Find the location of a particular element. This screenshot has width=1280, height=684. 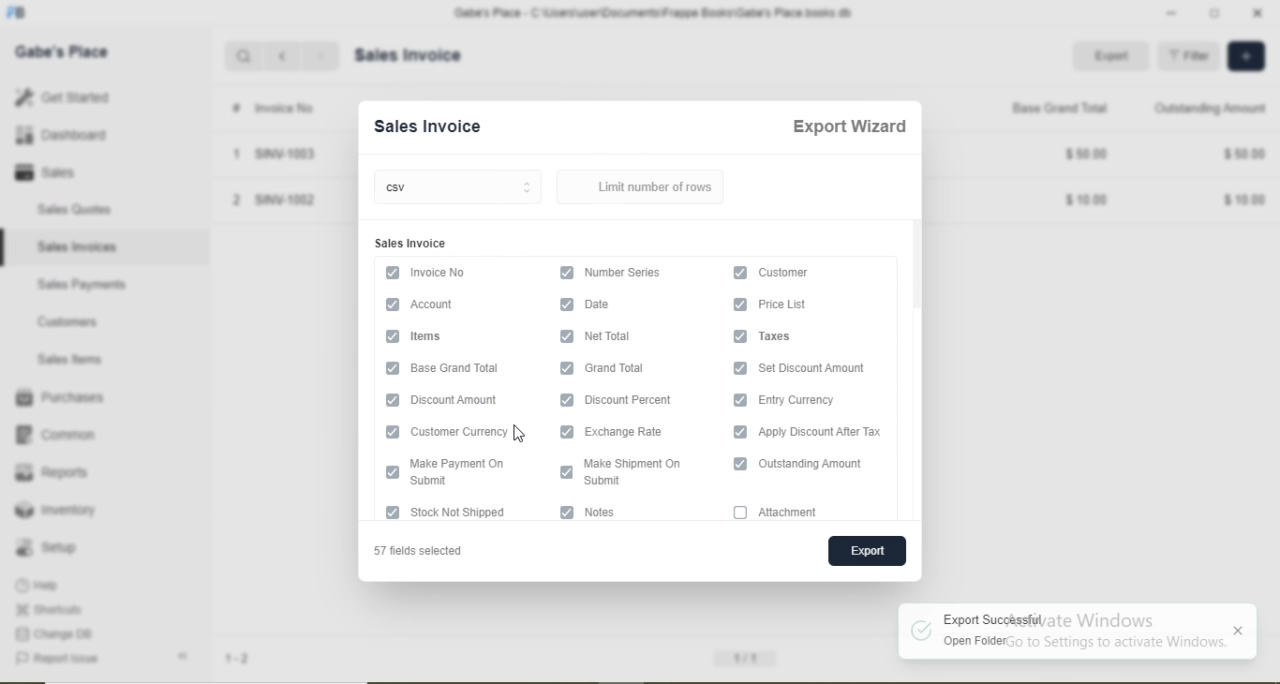

2 SINV-1002 is located at coordinates (273, 199).